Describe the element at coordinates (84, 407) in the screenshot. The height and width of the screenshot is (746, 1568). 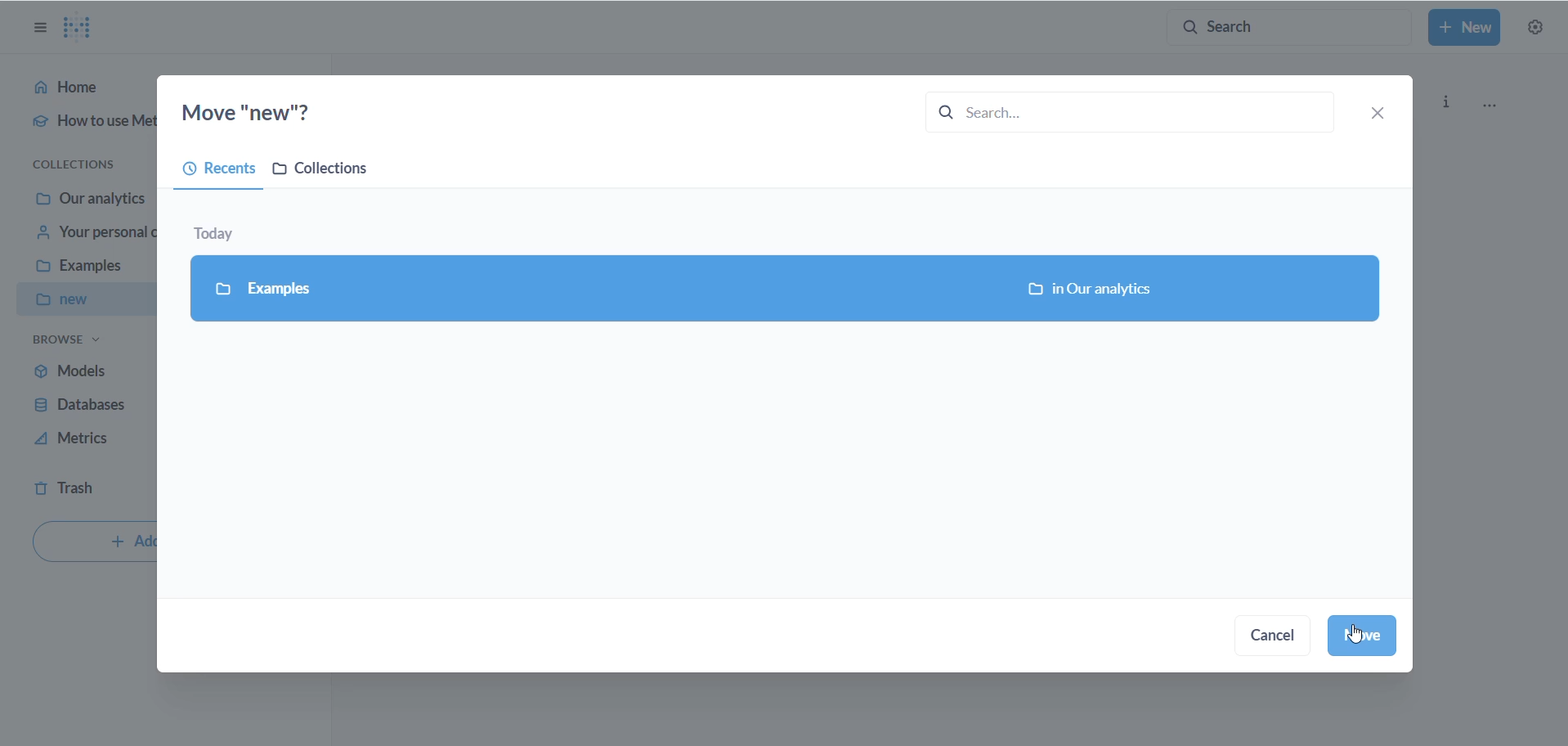
I see `databases` at that location.